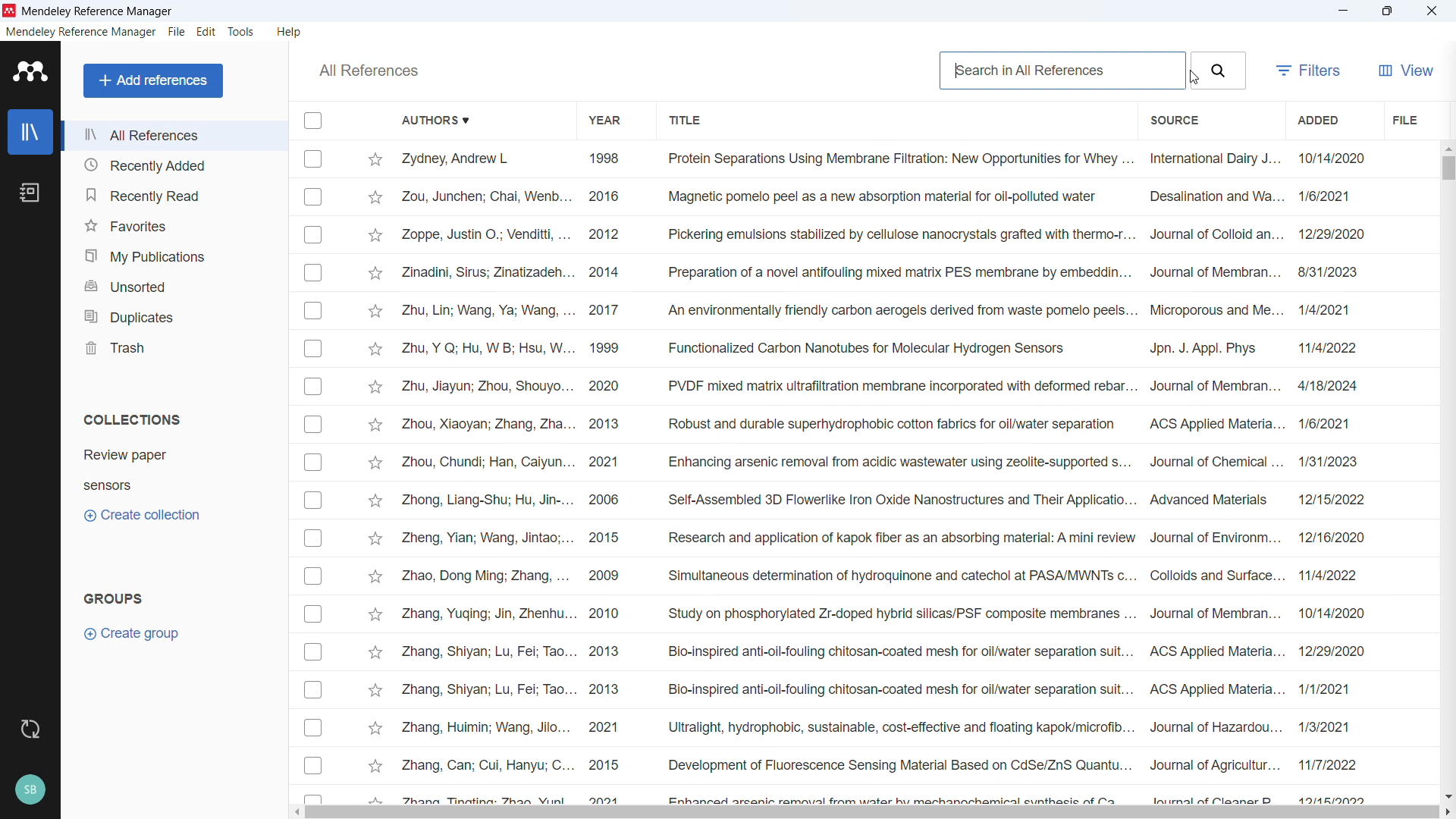 The width and height of the screenshot is (1456, 819). What do you see at coordinates (375, 476) in the screenshot?
I see `Starmark individual entries ` at bounding box center [375, 476].